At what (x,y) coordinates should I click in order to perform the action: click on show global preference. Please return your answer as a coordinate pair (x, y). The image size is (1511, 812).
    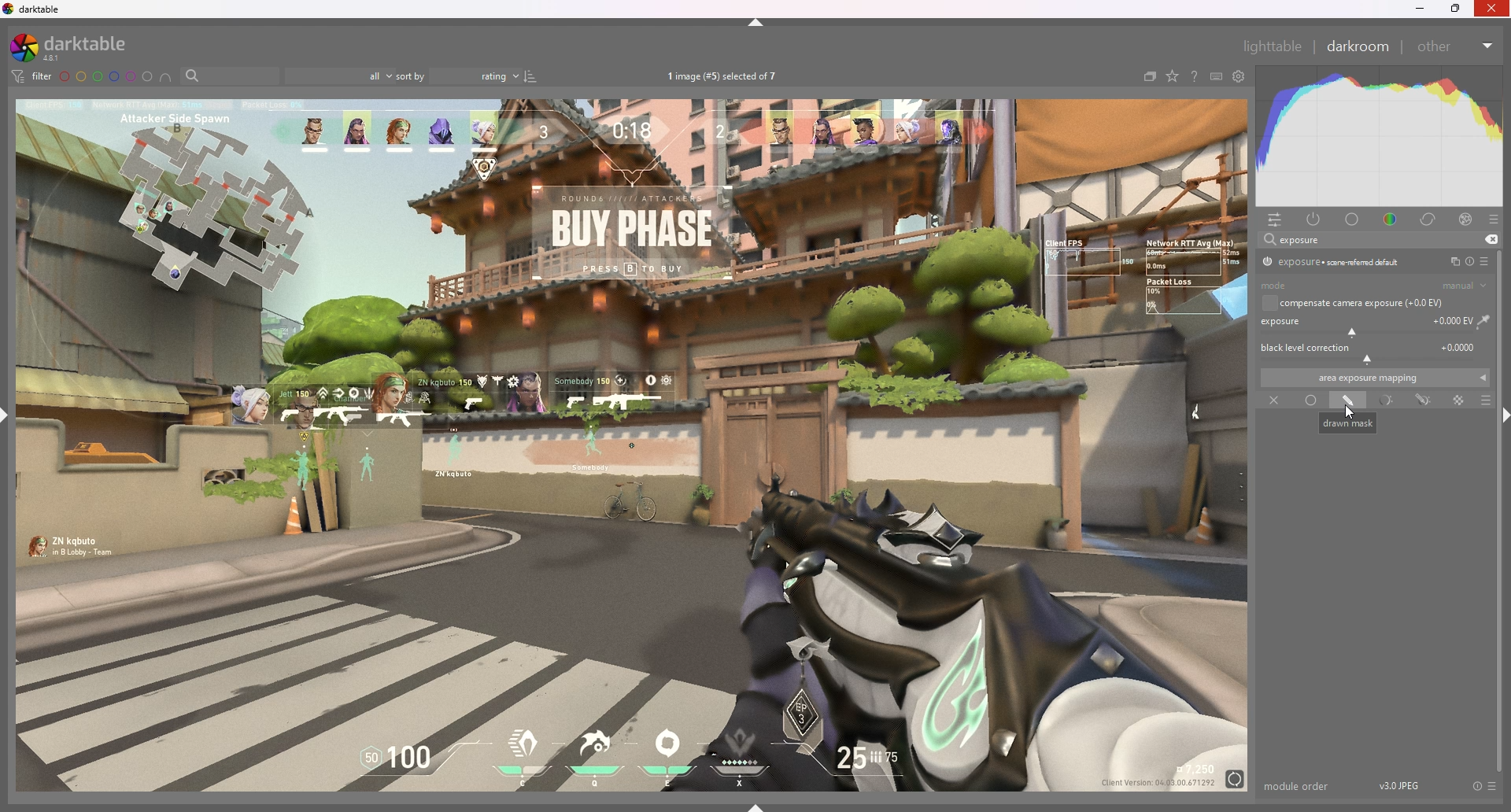
    Looking at the image, I should click on (1238, 76).